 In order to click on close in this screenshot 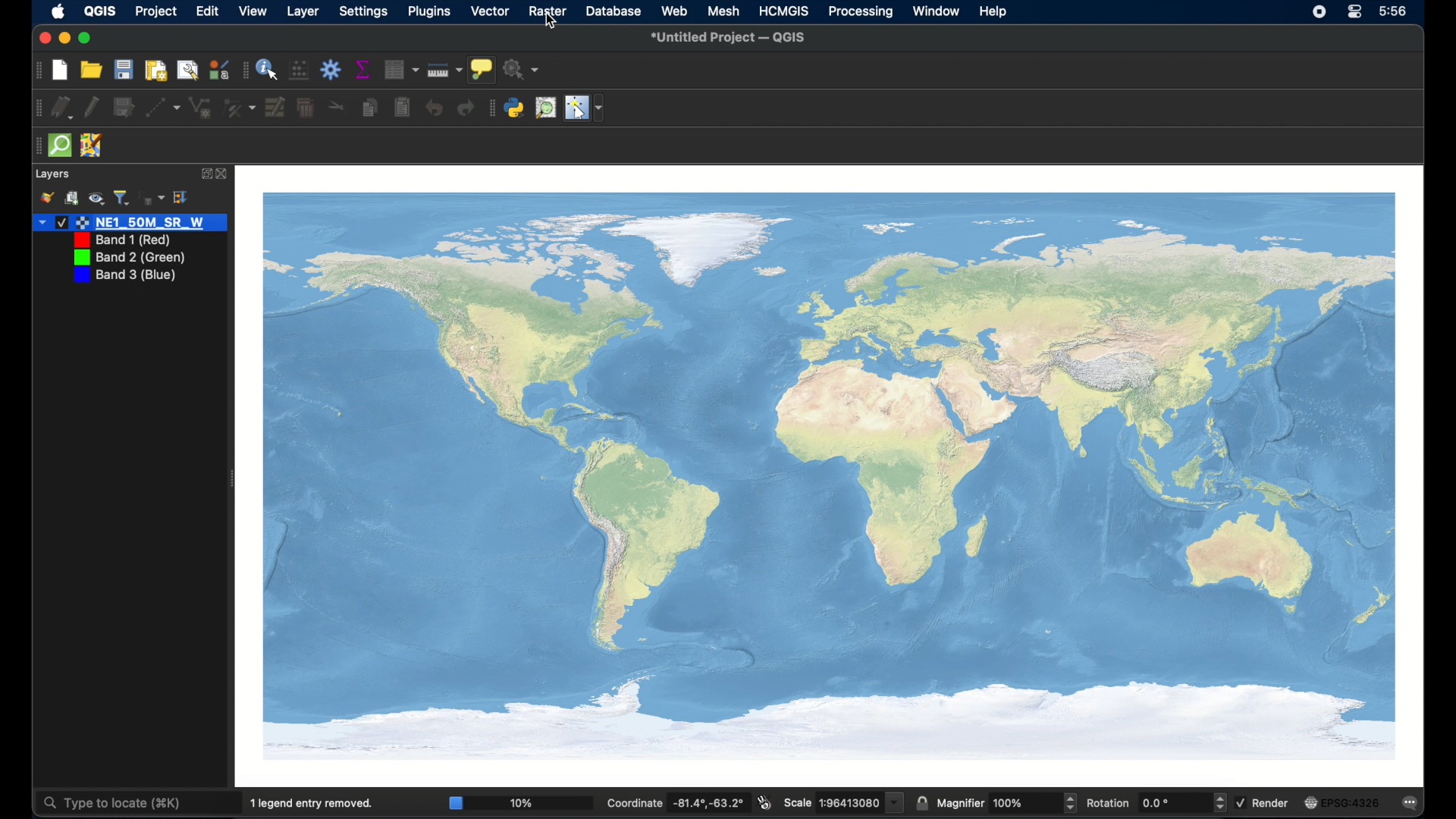, I will do `click(224, 174)`.